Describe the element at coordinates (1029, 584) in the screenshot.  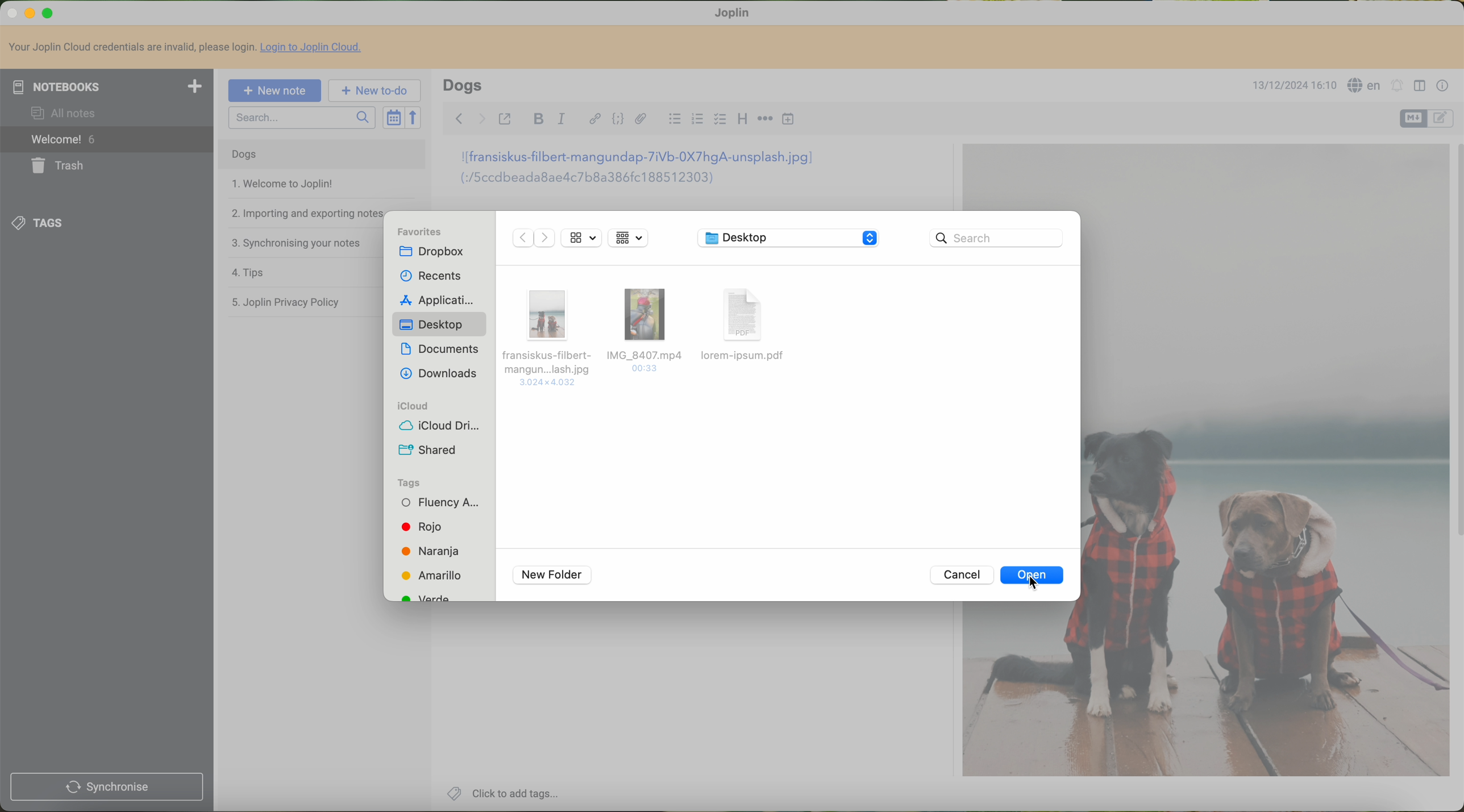
I see `cursor` at that location.